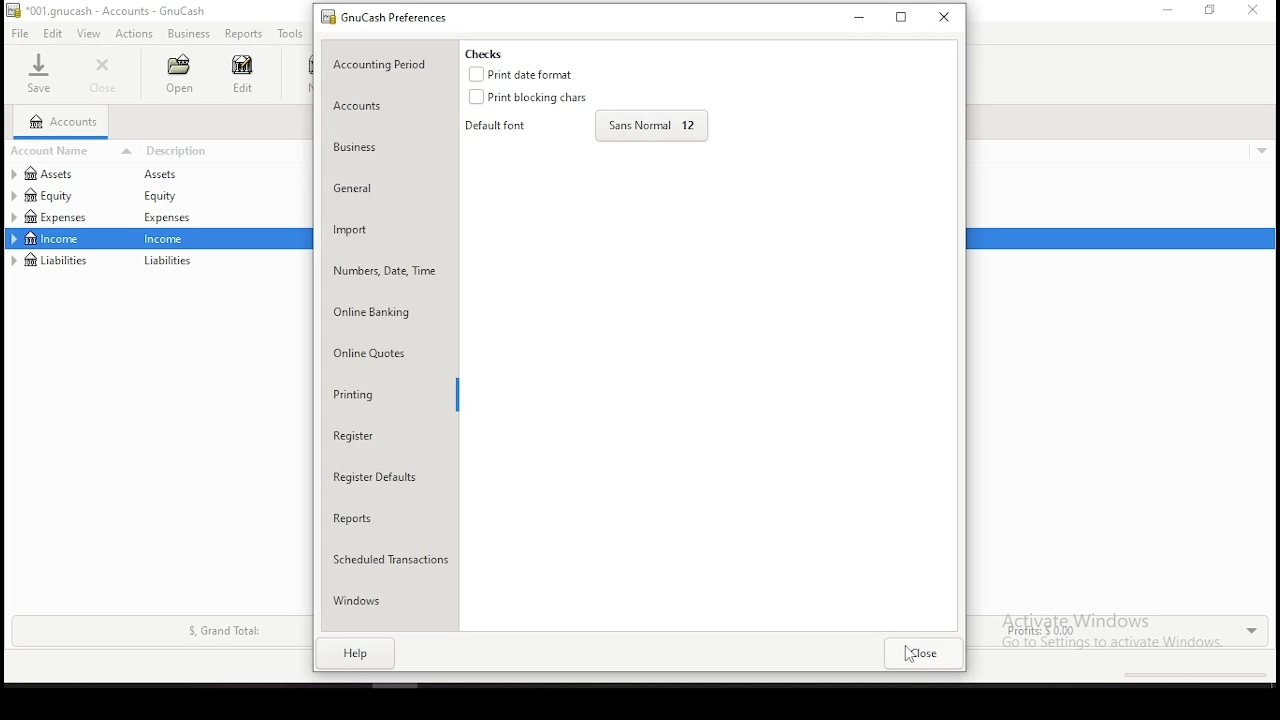  Describe the element at coordinates (291, 33) in the screenshot. I see `tools` at that location.